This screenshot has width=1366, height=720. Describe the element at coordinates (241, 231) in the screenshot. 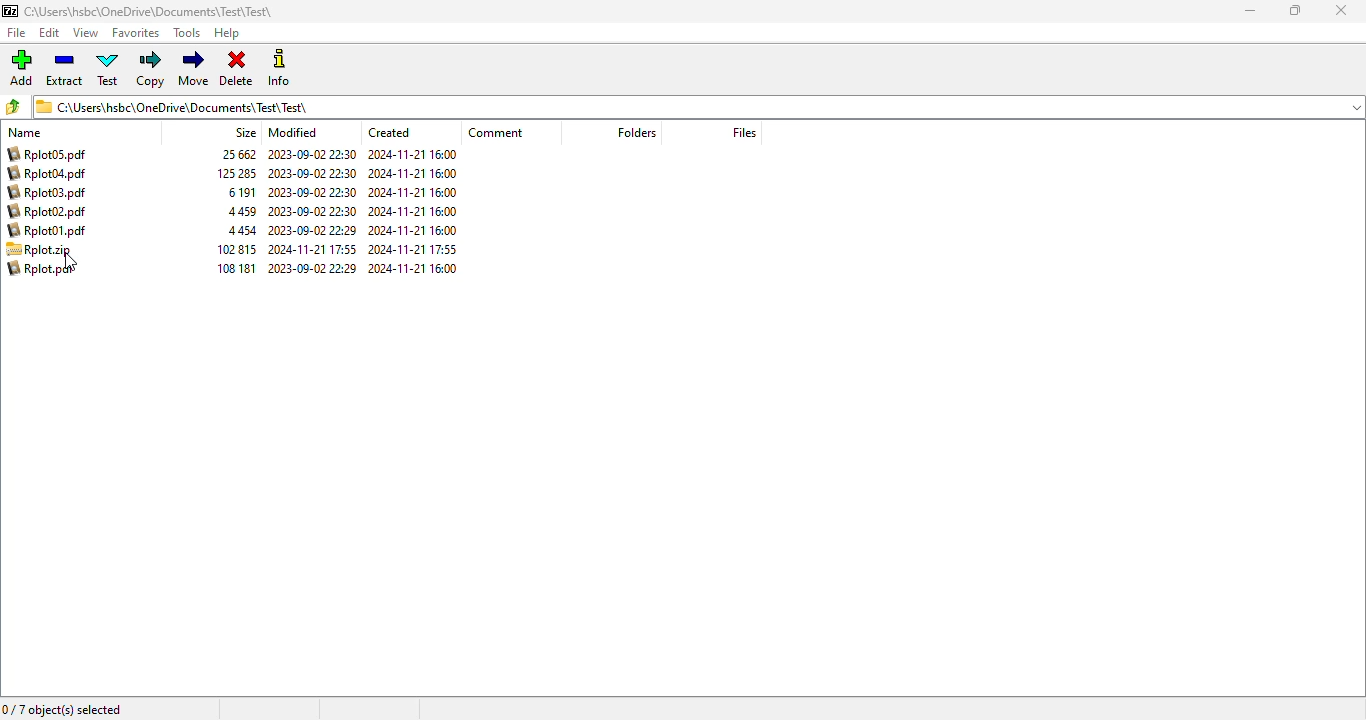

I see `4454` at that location.